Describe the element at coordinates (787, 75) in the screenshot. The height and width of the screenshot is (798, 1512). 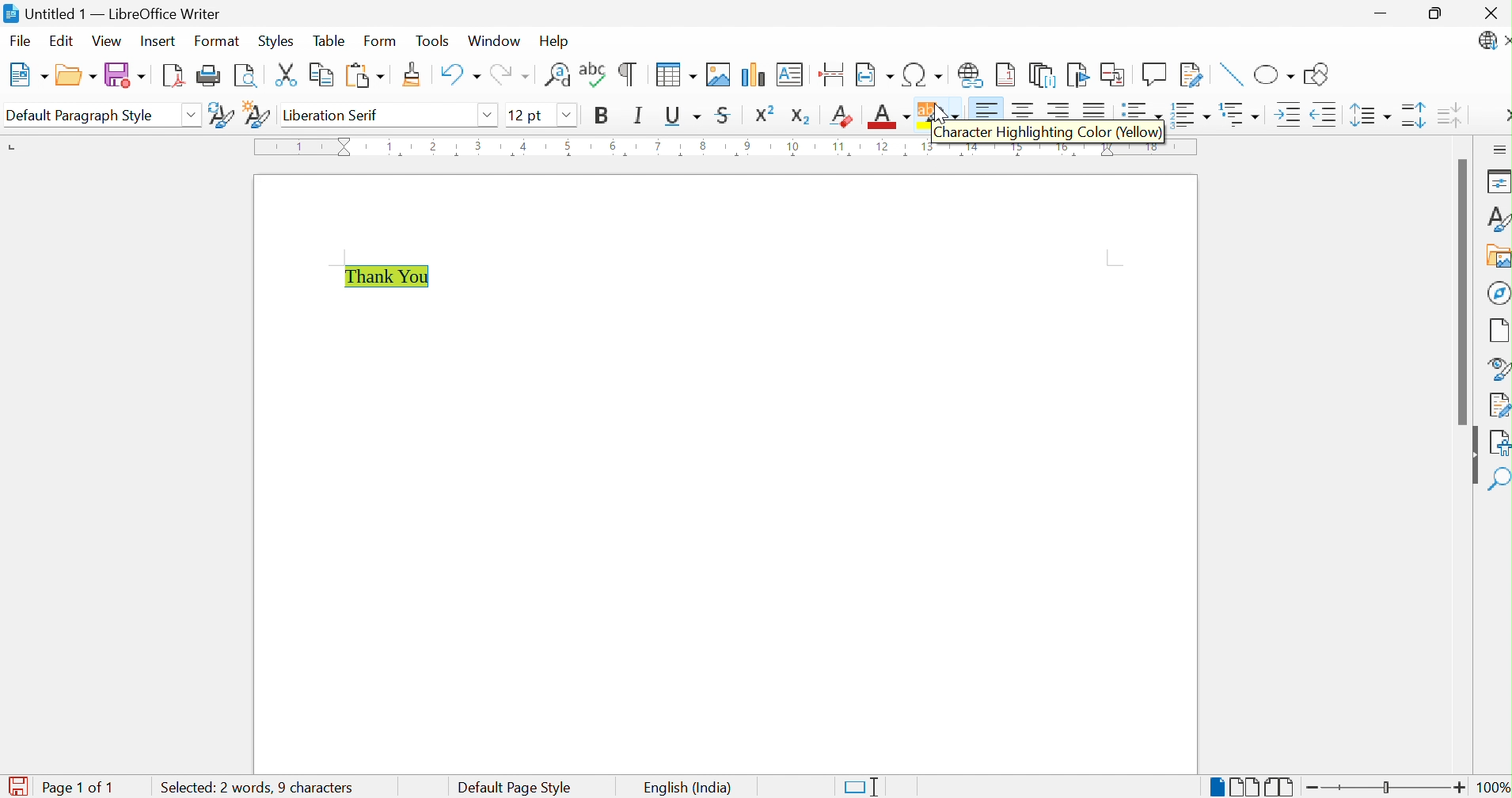
I see `Insert Text Box` at that location.